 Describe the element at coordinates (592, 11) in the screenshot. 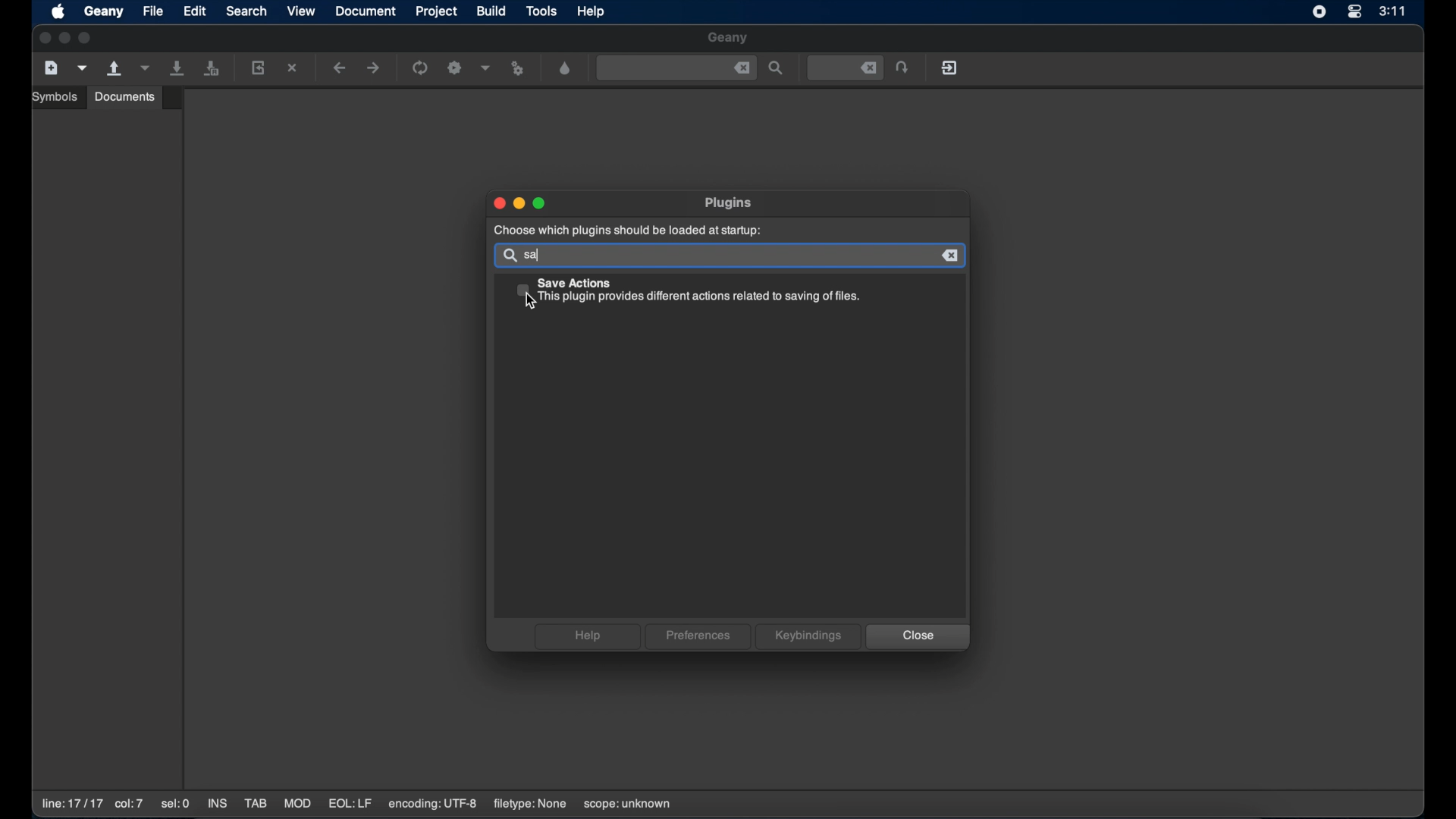

I see `help` at that location.